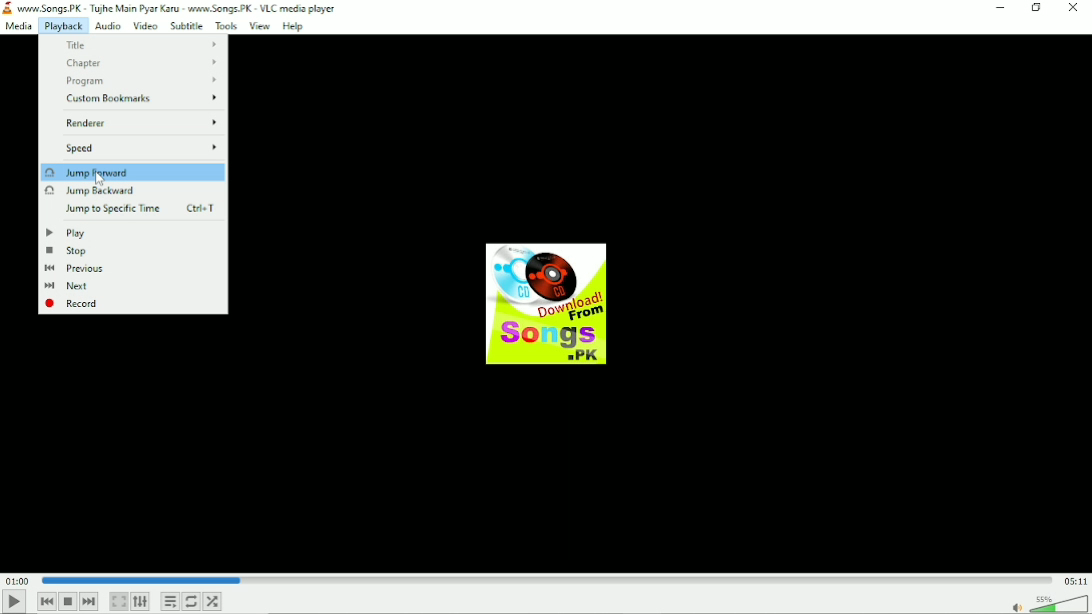 The image size is (1092, 614). Describe the element at coordinates (66, 234) in the screenshot. I see `Play` at that location.